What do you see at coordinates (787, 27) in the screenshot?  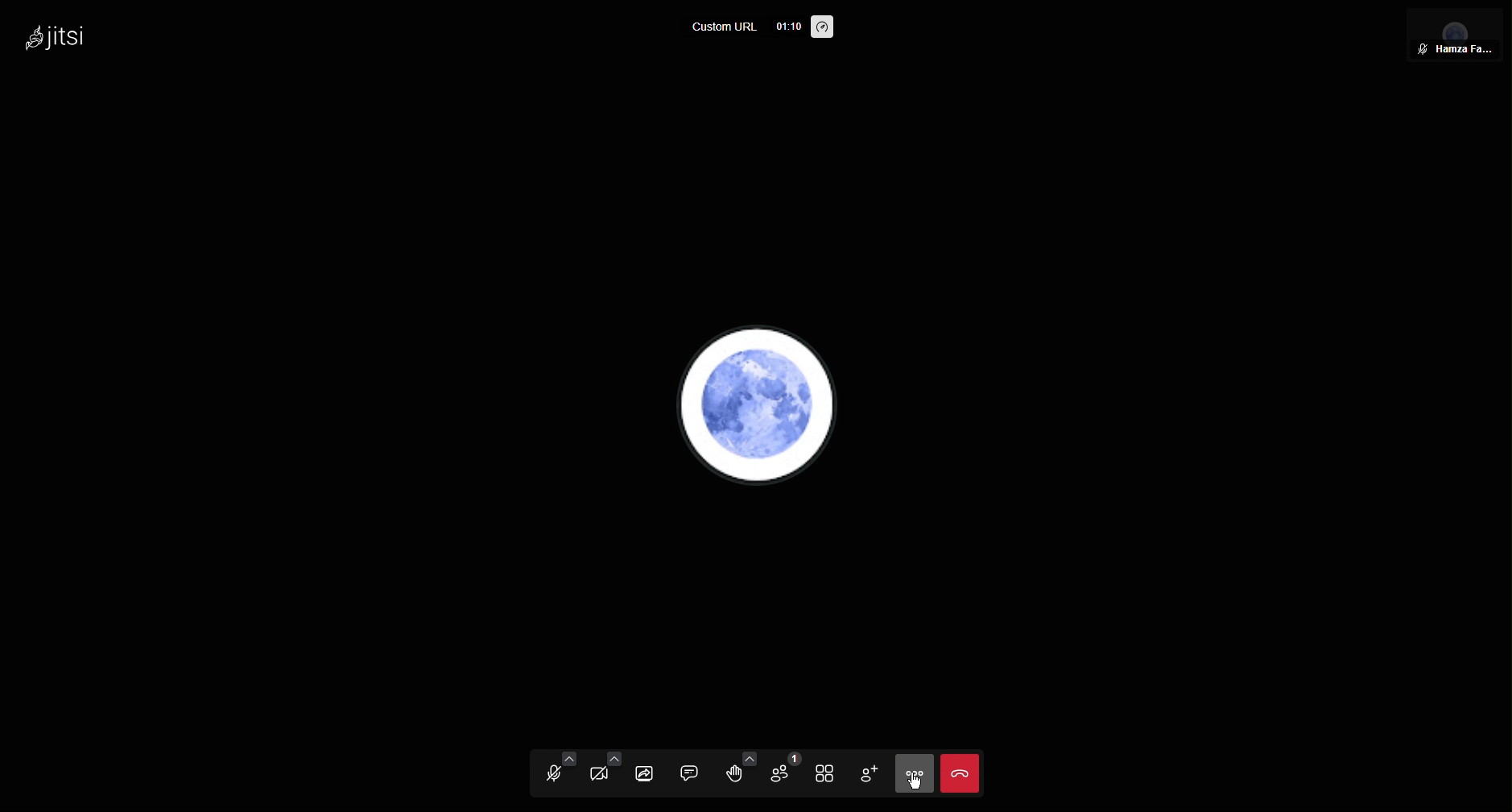 I see `Timer` at bounding box center [787, 27].